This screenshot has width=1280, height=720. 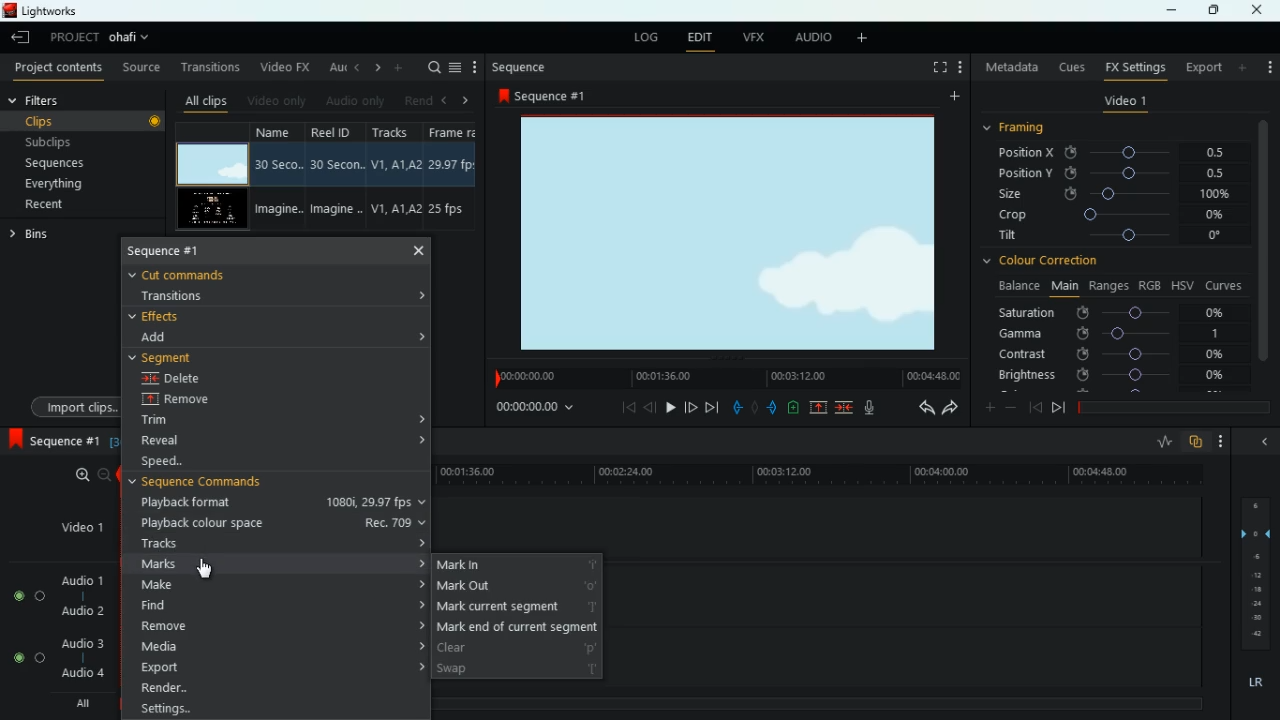 I want to click on filters, so click(x=66, y=99).